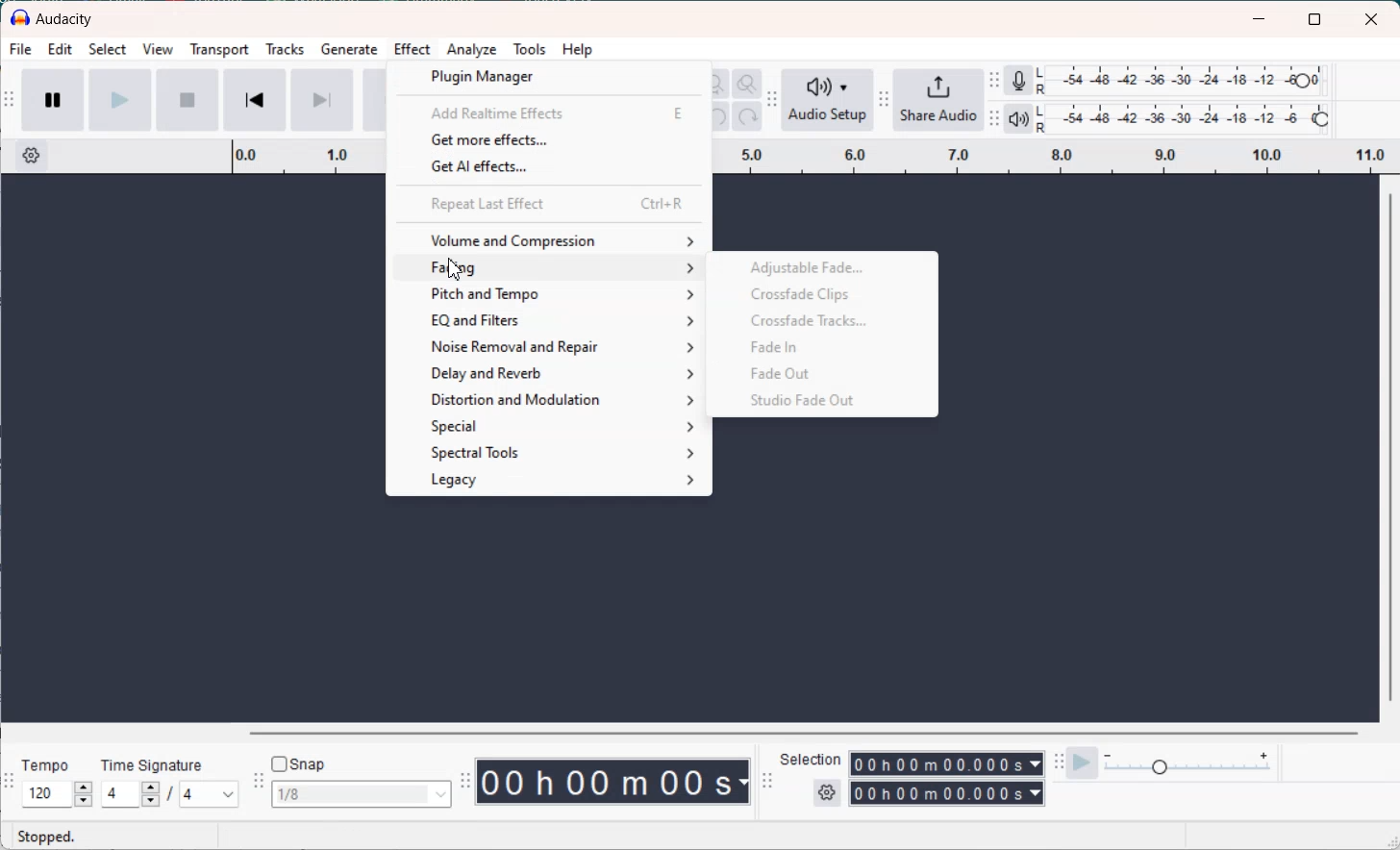 This screenshot has width=1400, height=850. What do you see at coordinates (947, 795) in the screenshot?
I see `End hh:mm:ss time` at bounding box center [947, 795].